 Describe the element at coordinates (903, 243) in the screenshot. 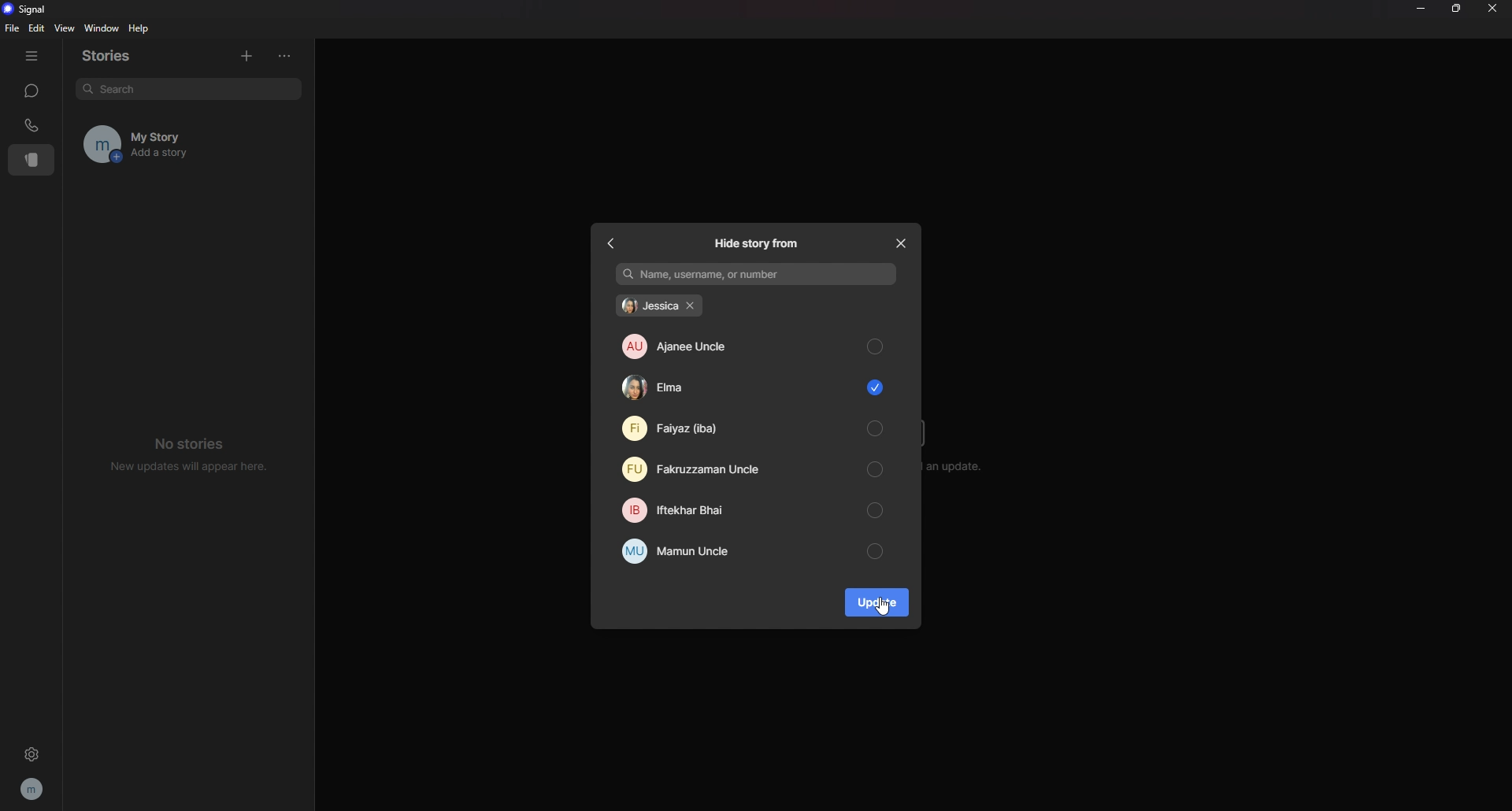

I see `close` at that location.